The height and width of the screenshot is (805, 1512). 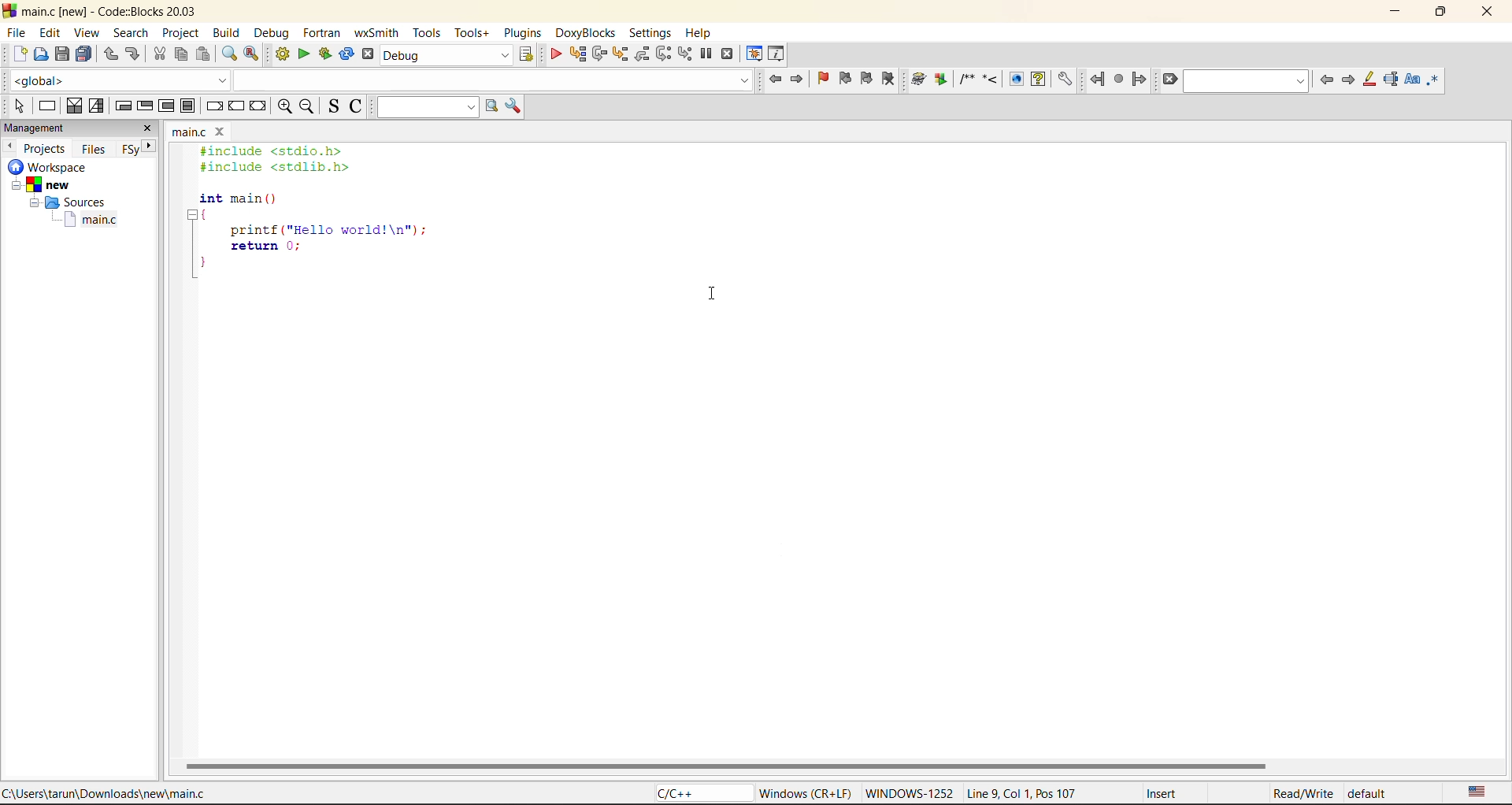 What do you see at coordinates (226, 33) in the screenshot?
I see `build` at bounding box center [226, 33].